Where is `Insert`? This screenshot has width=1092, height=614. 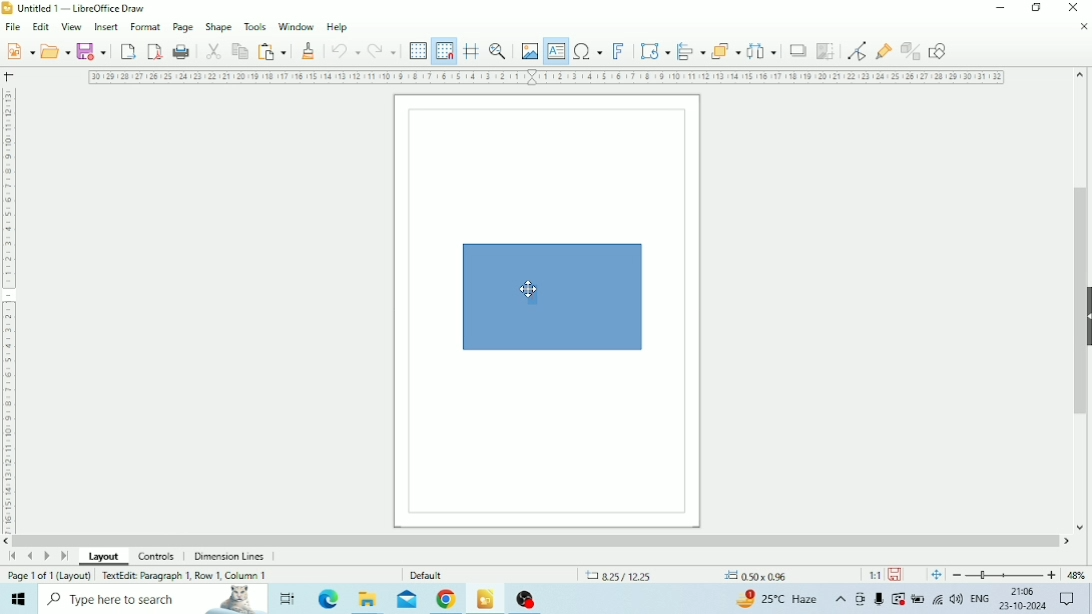
Insert is located at coordinates (106, 26).